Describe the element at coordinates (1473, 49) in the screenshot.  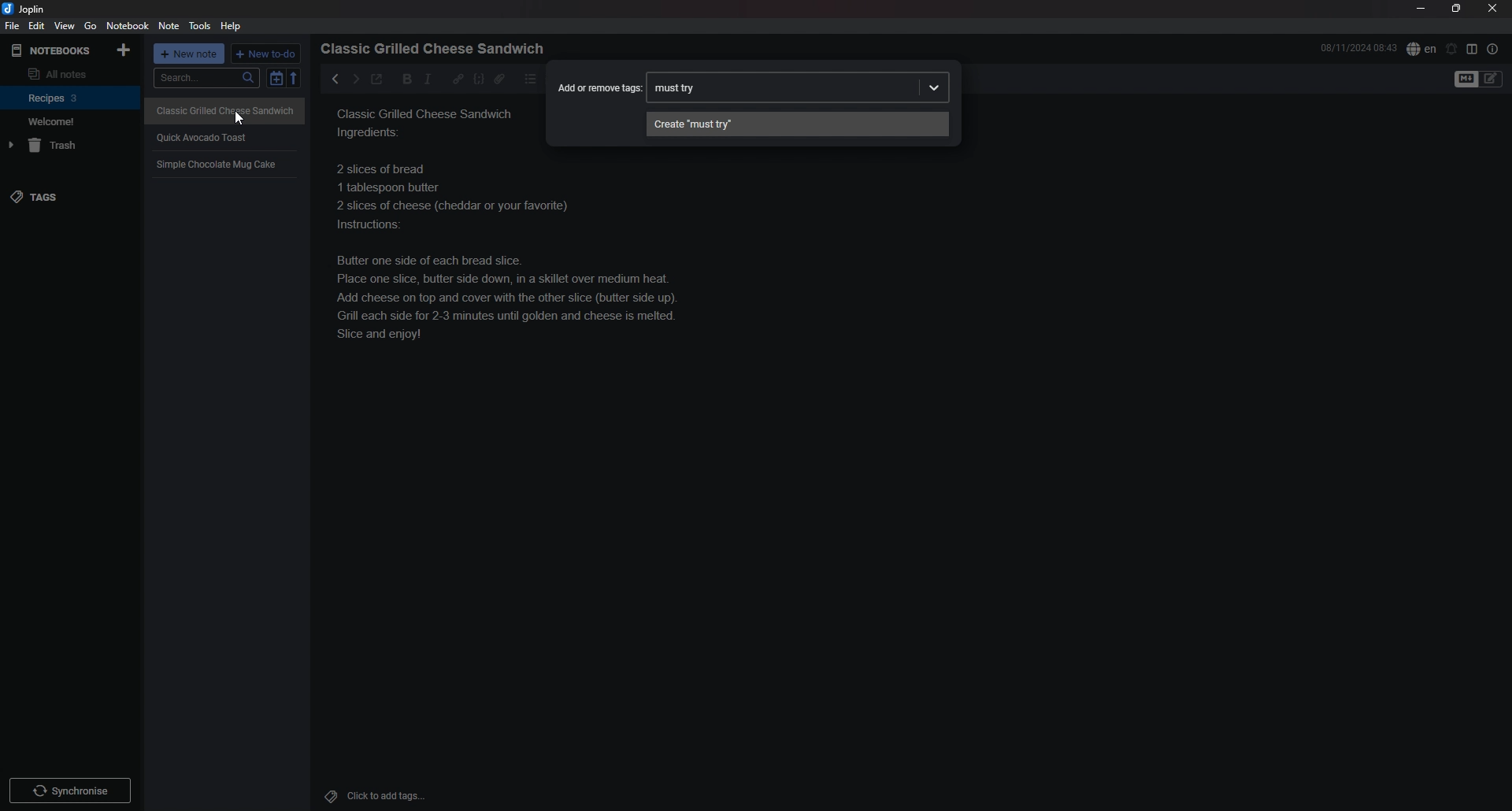
I see `toggle editor layout` at that location.